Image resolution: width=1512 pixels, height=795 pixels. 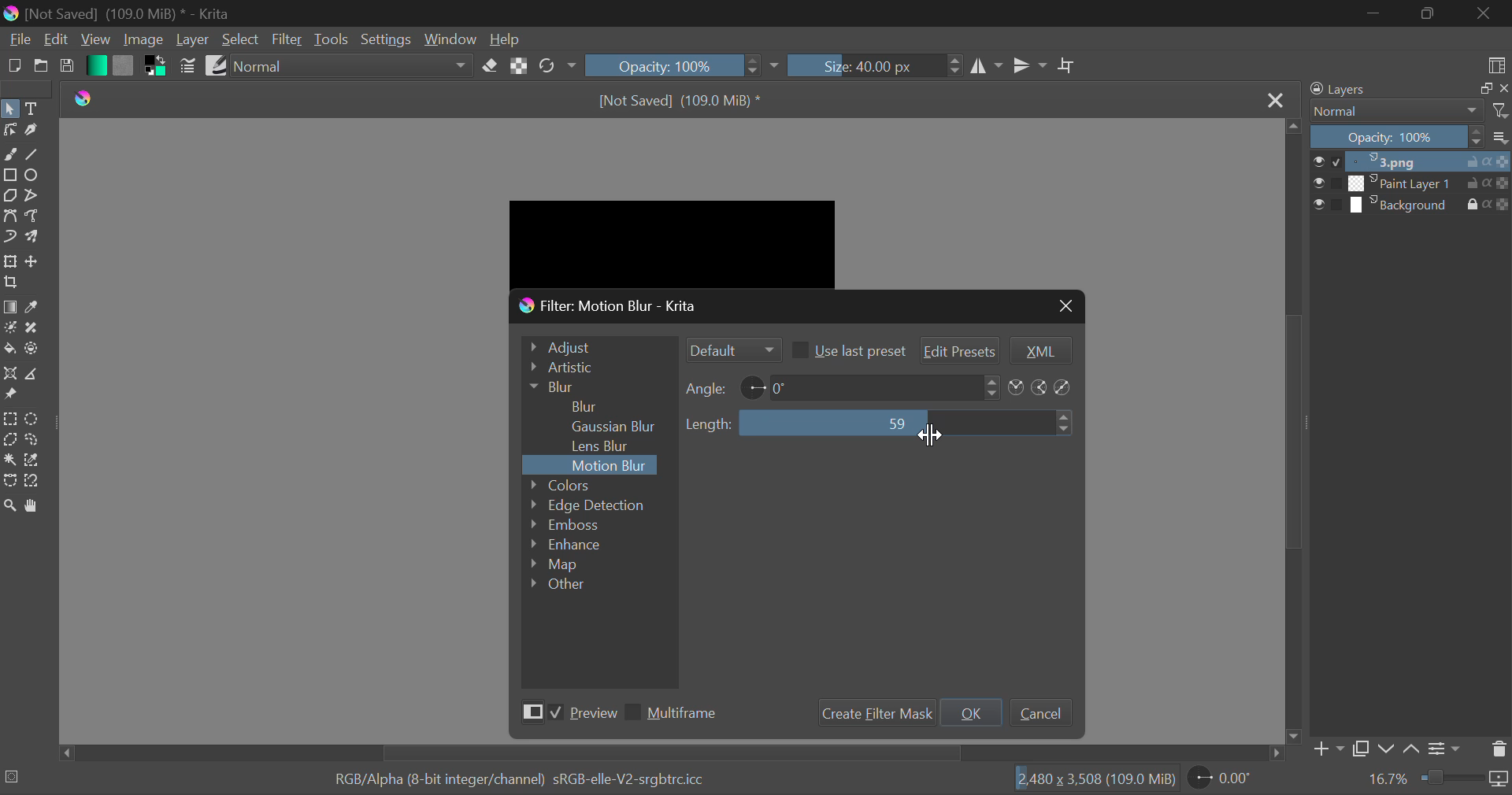 What do you see at coordinates (1447, 747) in the screenshot?
I see `Settings` at bounding box center [1447, 747].